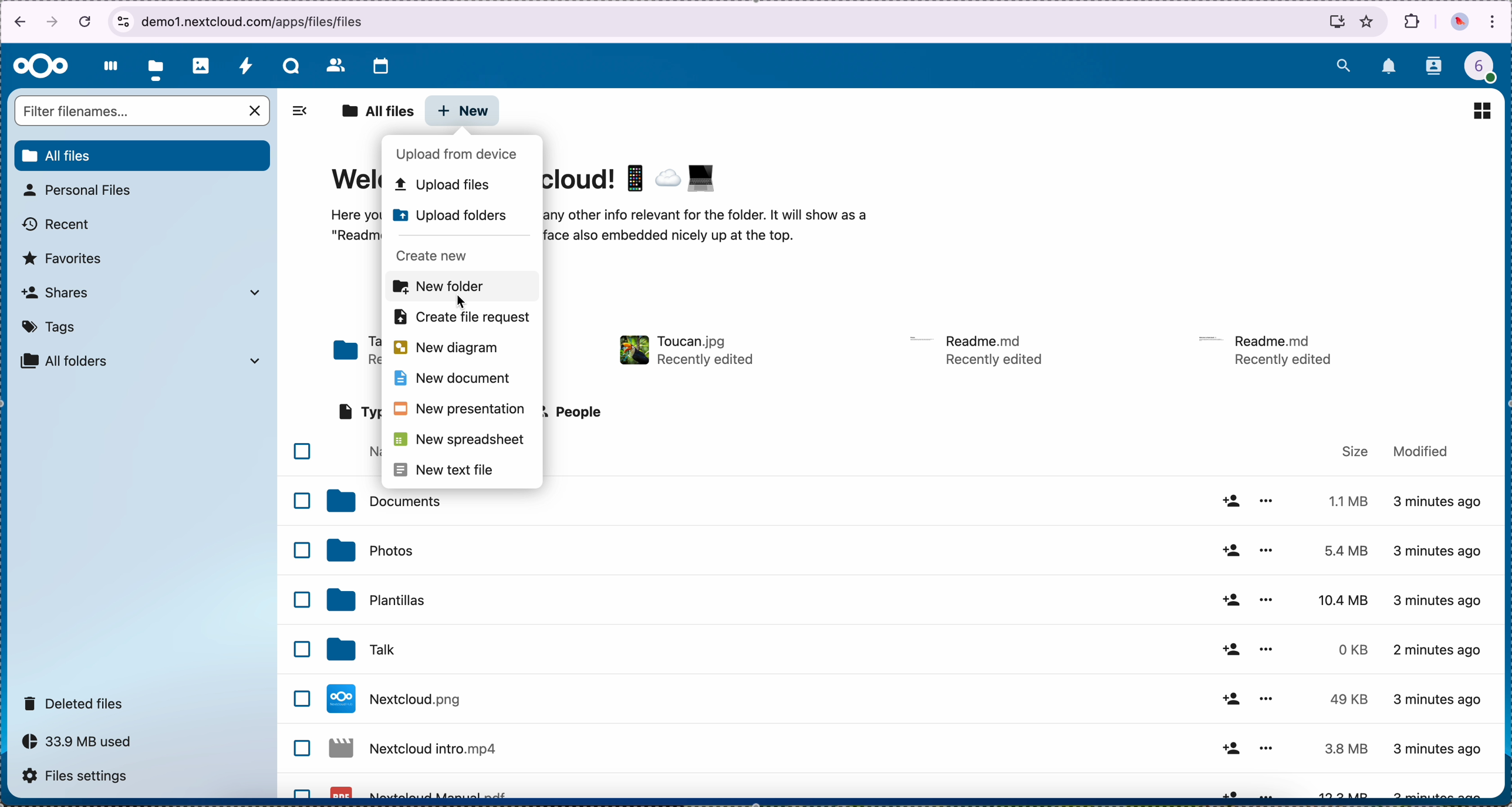 This screenshot has width=1512, height=807. Describe the element at coordinates (398, 698) in the screenshot. I see `Nextcloud file` at that location.